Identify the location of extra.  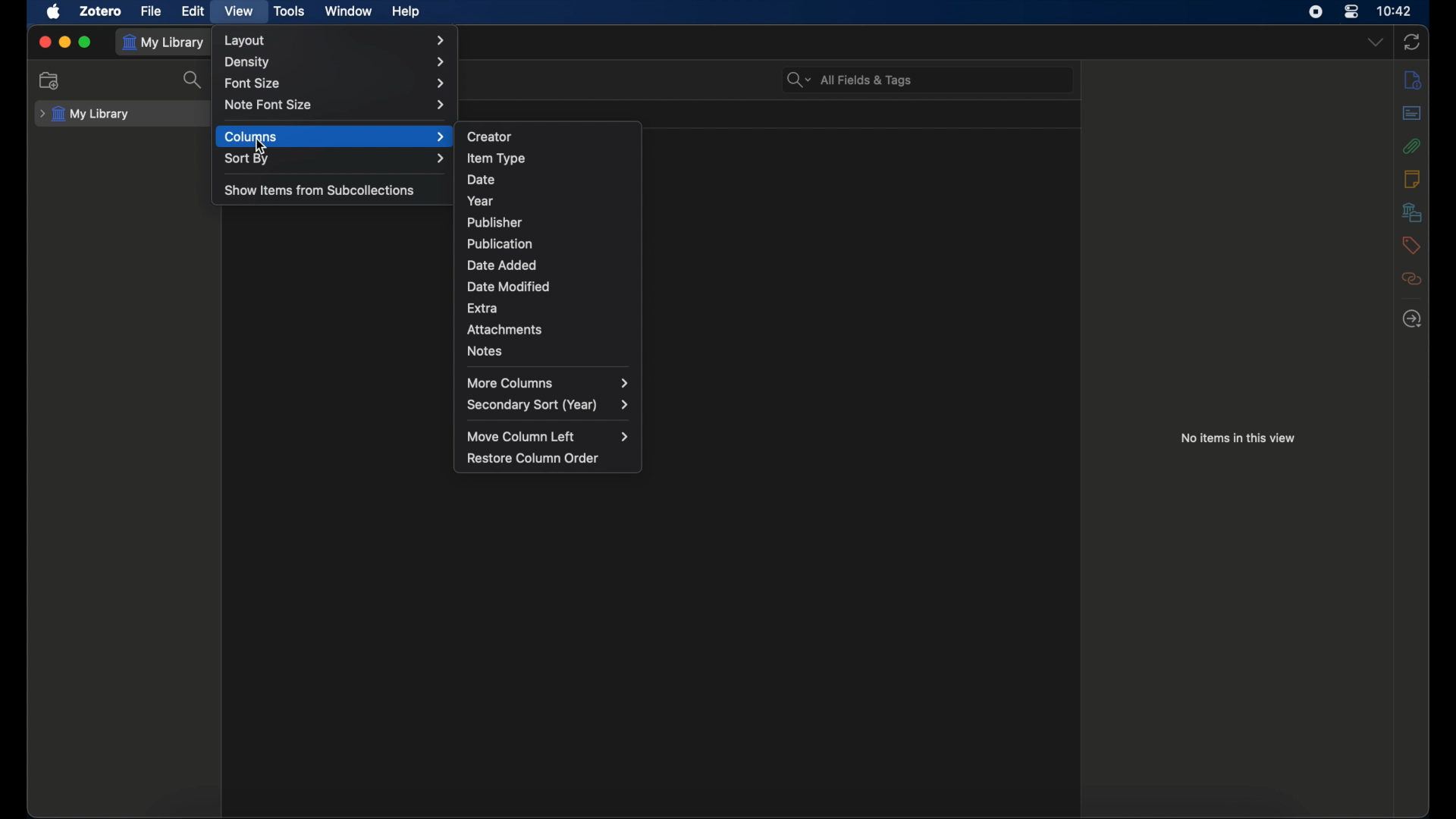
(482, 309).